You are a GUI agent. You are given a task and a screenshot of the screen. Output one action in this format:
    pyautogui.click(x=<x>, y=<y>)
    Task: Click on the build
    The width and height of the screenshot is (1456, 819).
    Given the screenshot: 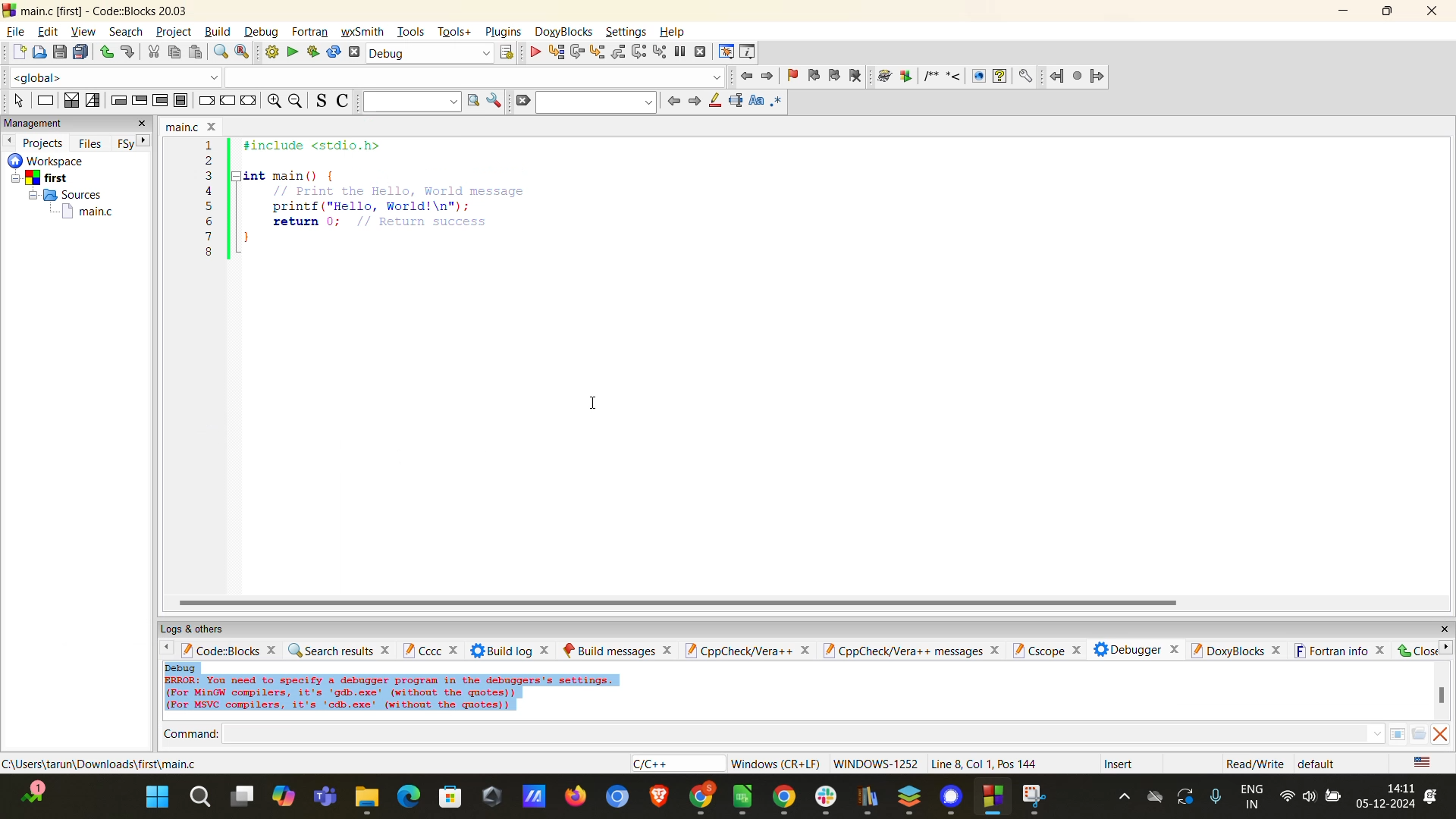 What is the action you would take?
    pyautogui.click(x=215, y=33)
    